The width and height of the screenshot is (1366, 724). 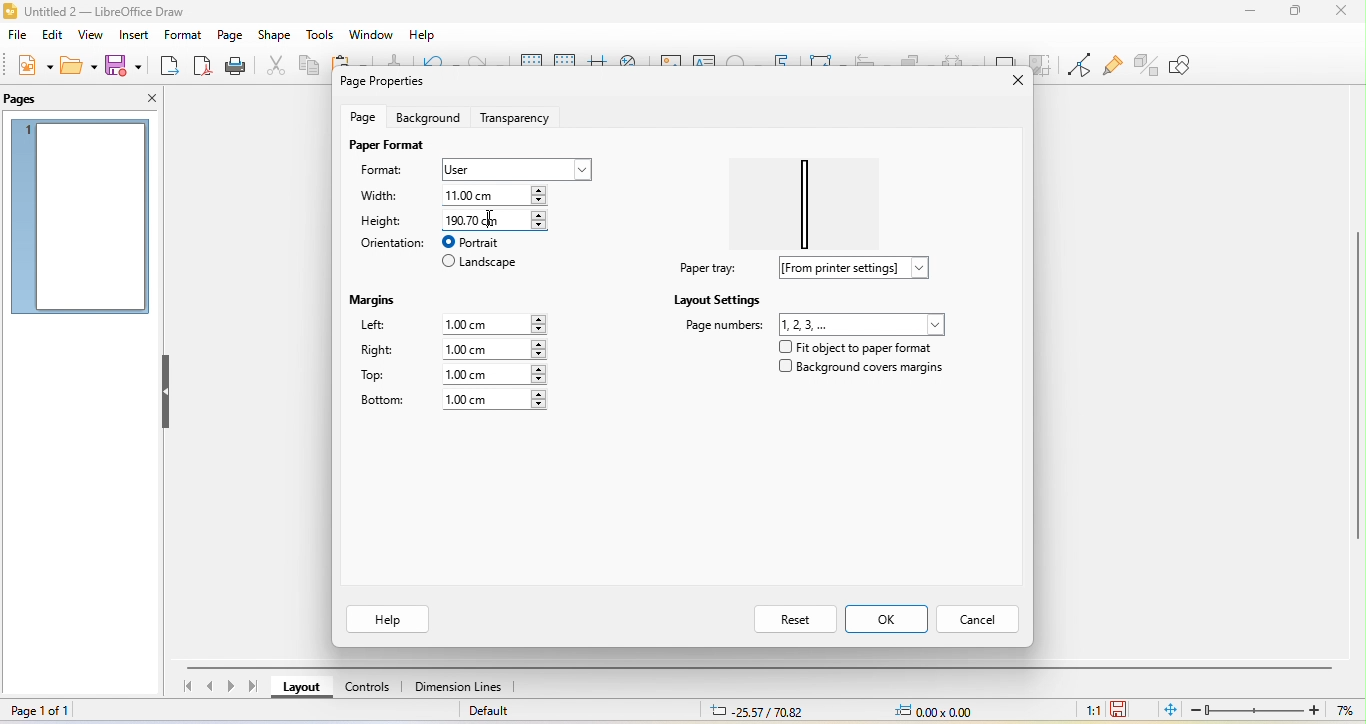 I want to click on 190.70 cm, so click(x=493, y=219).